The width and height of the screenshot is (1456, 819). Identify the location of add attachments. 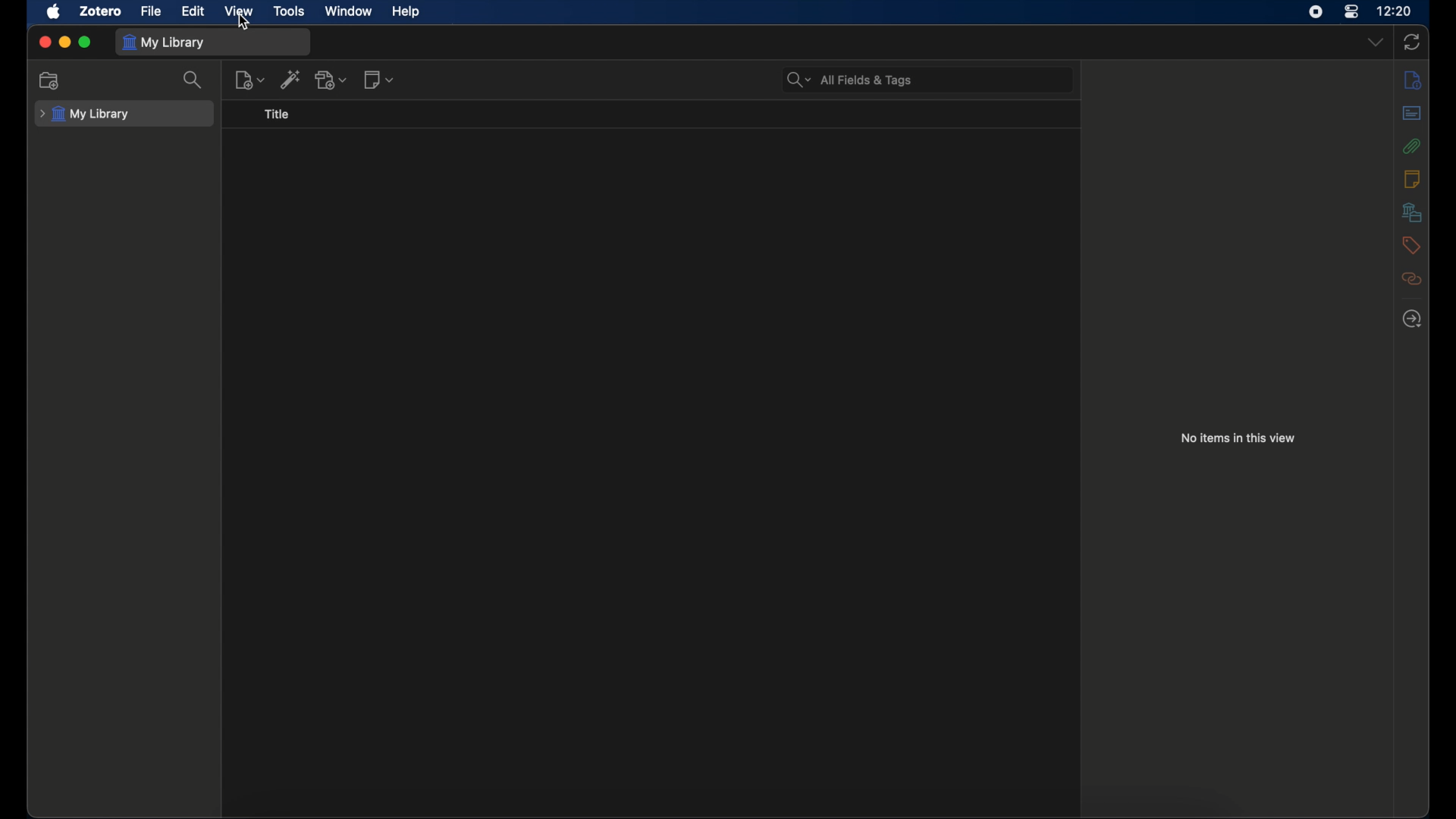
(331, 80).